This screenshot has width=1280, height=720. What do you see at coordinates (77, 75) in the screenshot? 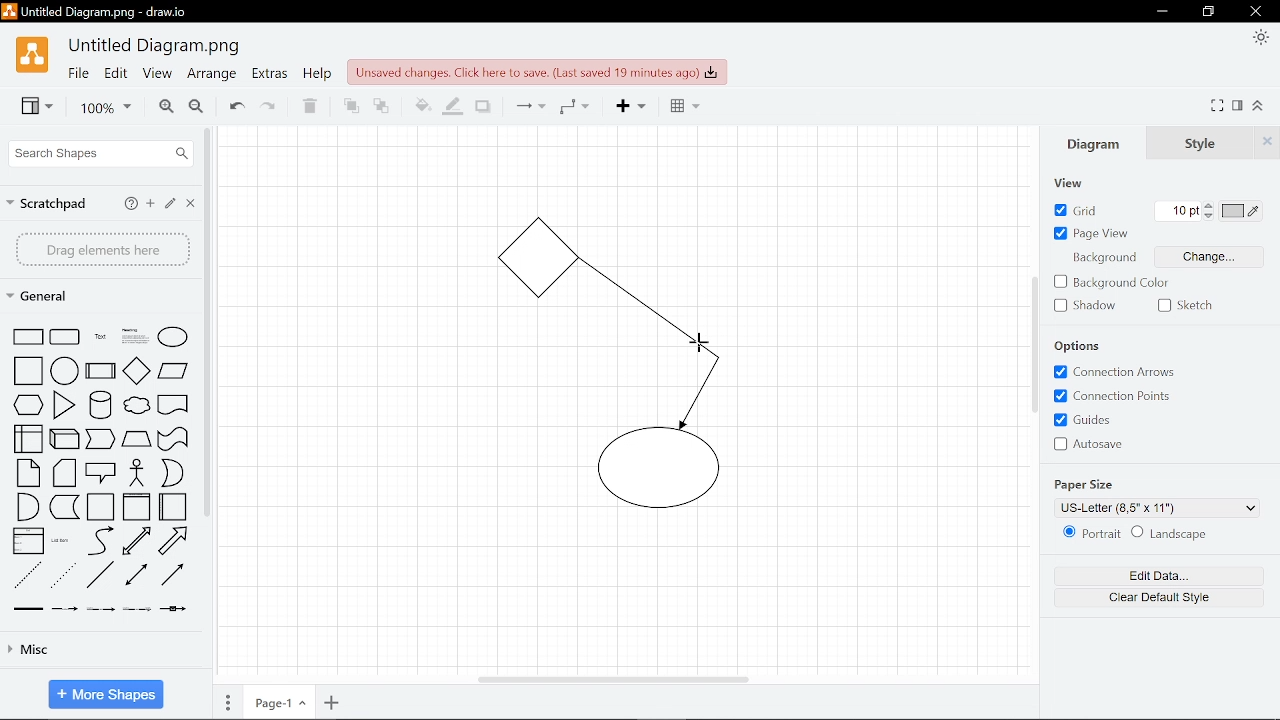
I see `File` at bounding box center [77, 75].